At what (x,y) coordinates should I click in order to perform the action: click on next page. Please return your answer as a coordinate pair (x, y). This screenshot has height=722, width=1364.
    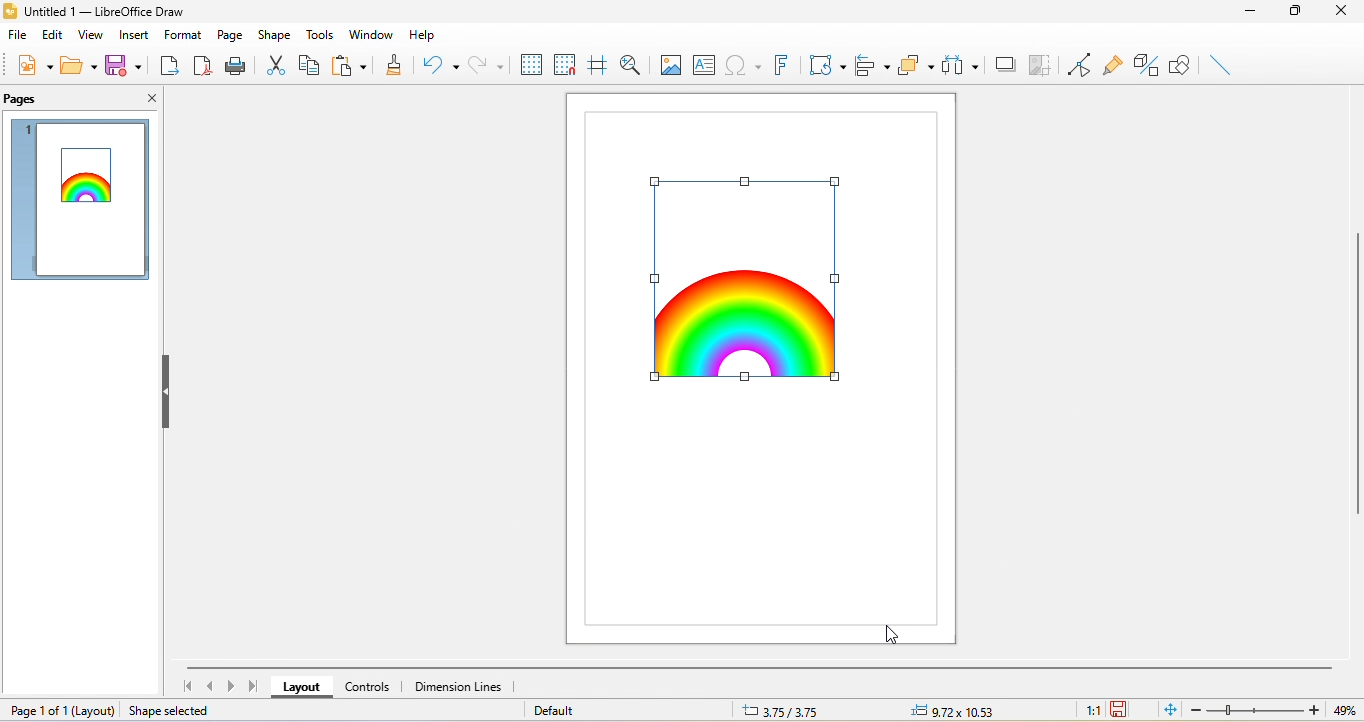
    Looking at the image, I should click on (231, 688).